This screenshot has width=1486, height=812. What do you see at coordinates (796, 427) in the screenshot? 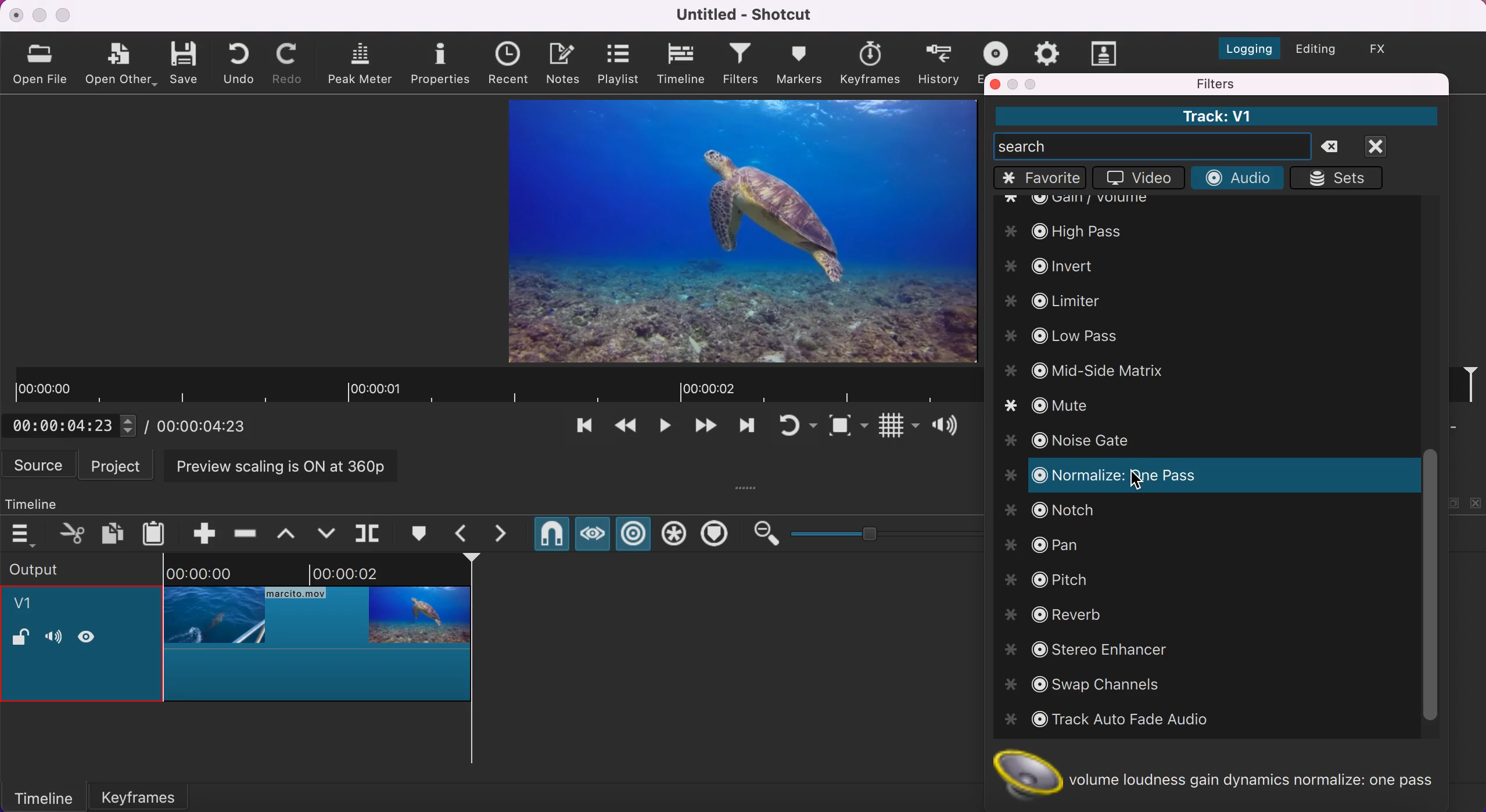
I see `toggle player looping` at bounding box center [796, 427].